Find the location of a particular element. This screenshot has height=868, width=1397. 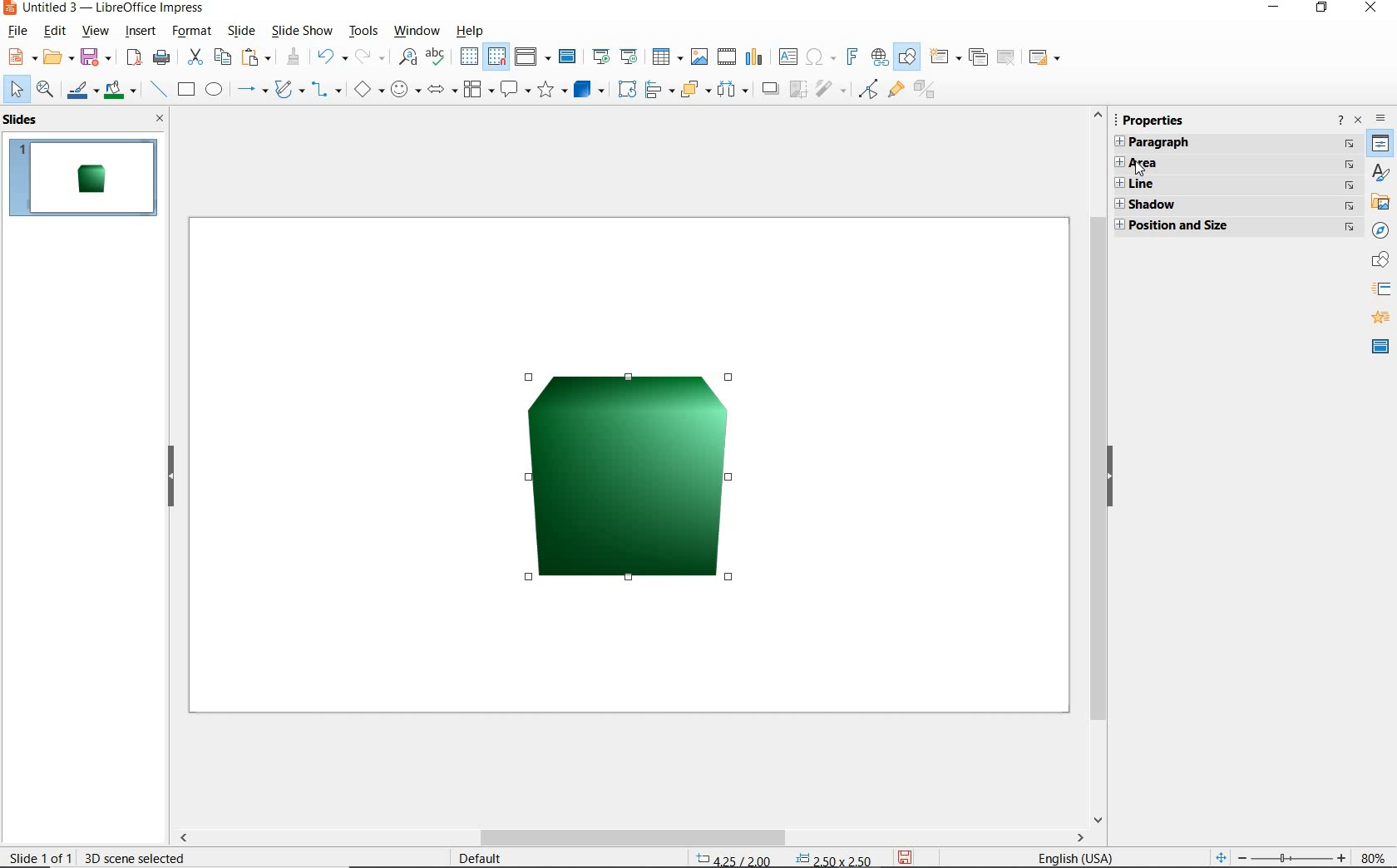

slide layout is located at coordinates (1045, 57).